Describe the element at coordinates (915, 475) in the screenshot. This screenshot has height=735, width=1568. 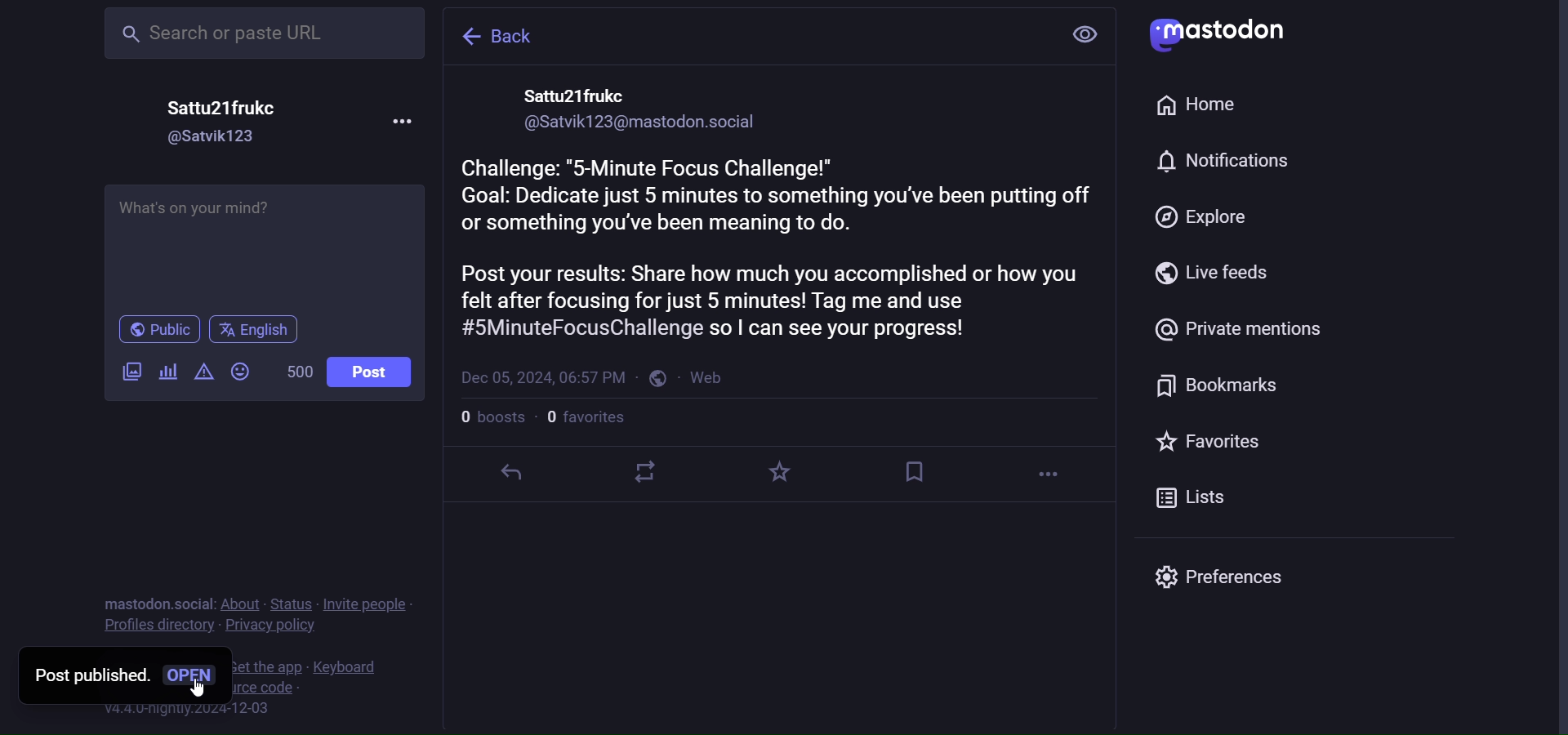
I see `bookmark` at that location.